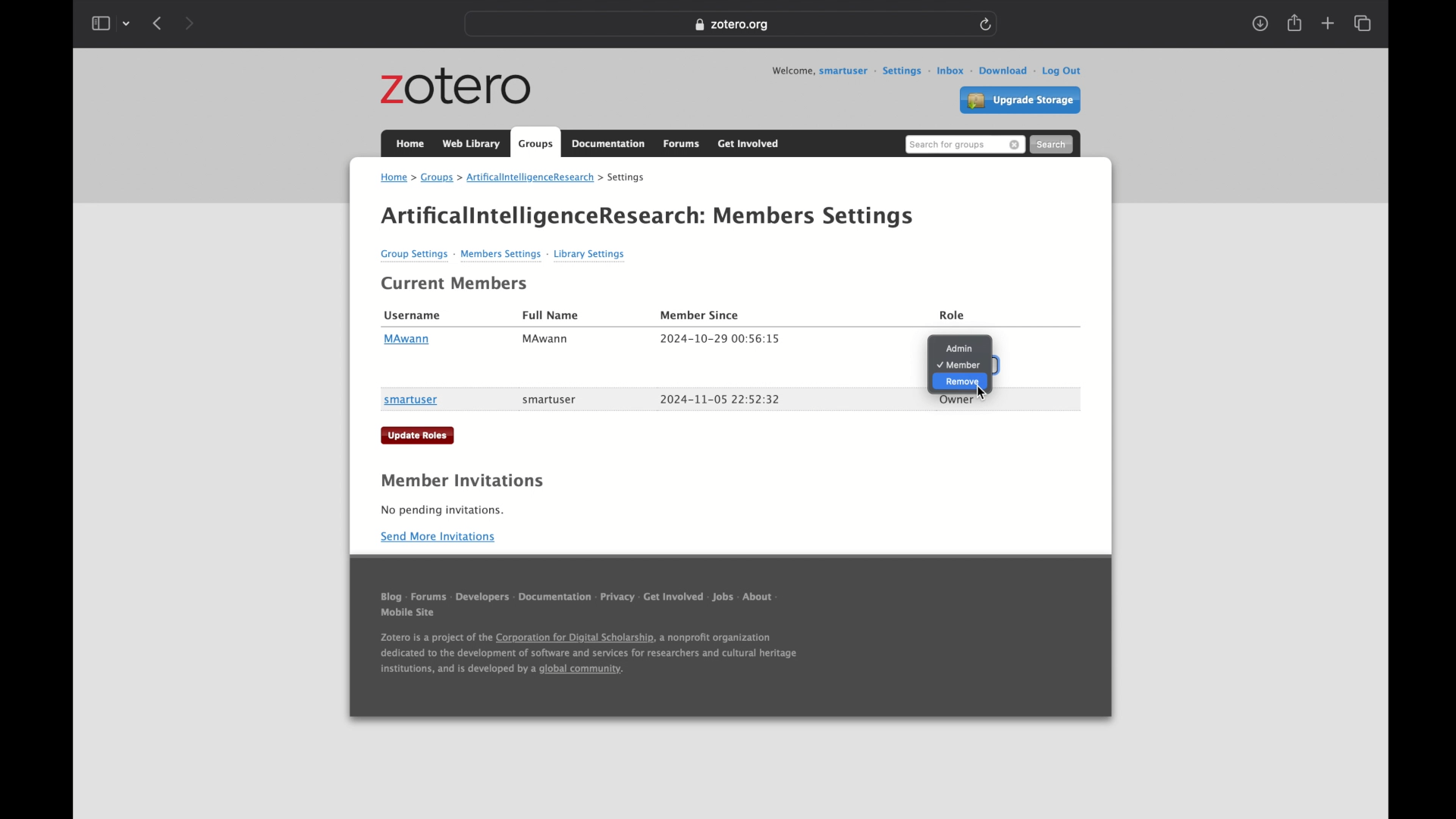 The image size is (1456, 819). Describe the element at coordinates (700, 315) in the screenshot. I see `member since` at that location.